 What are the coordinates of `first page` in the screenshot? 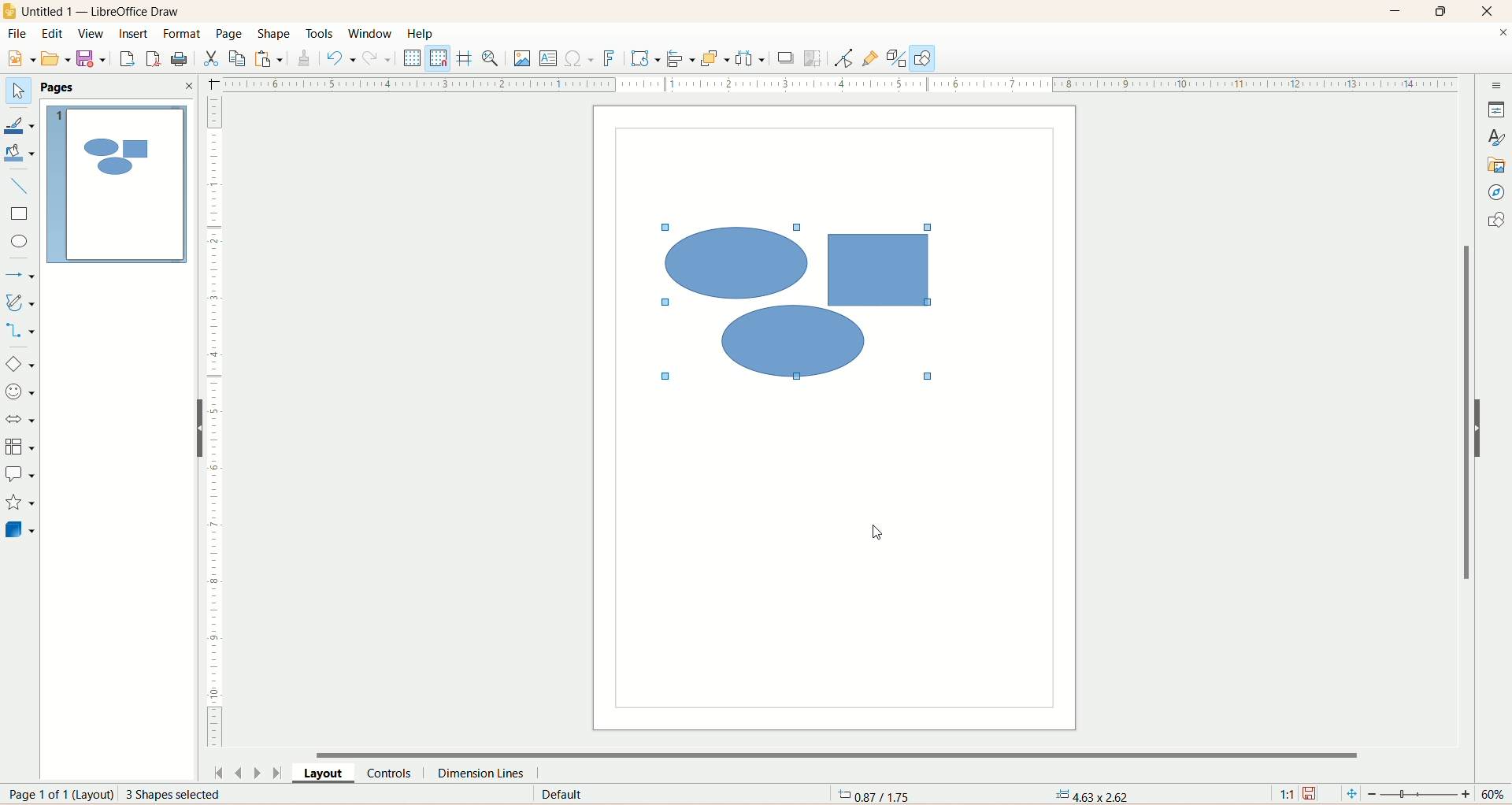 It's located at (220, 774).